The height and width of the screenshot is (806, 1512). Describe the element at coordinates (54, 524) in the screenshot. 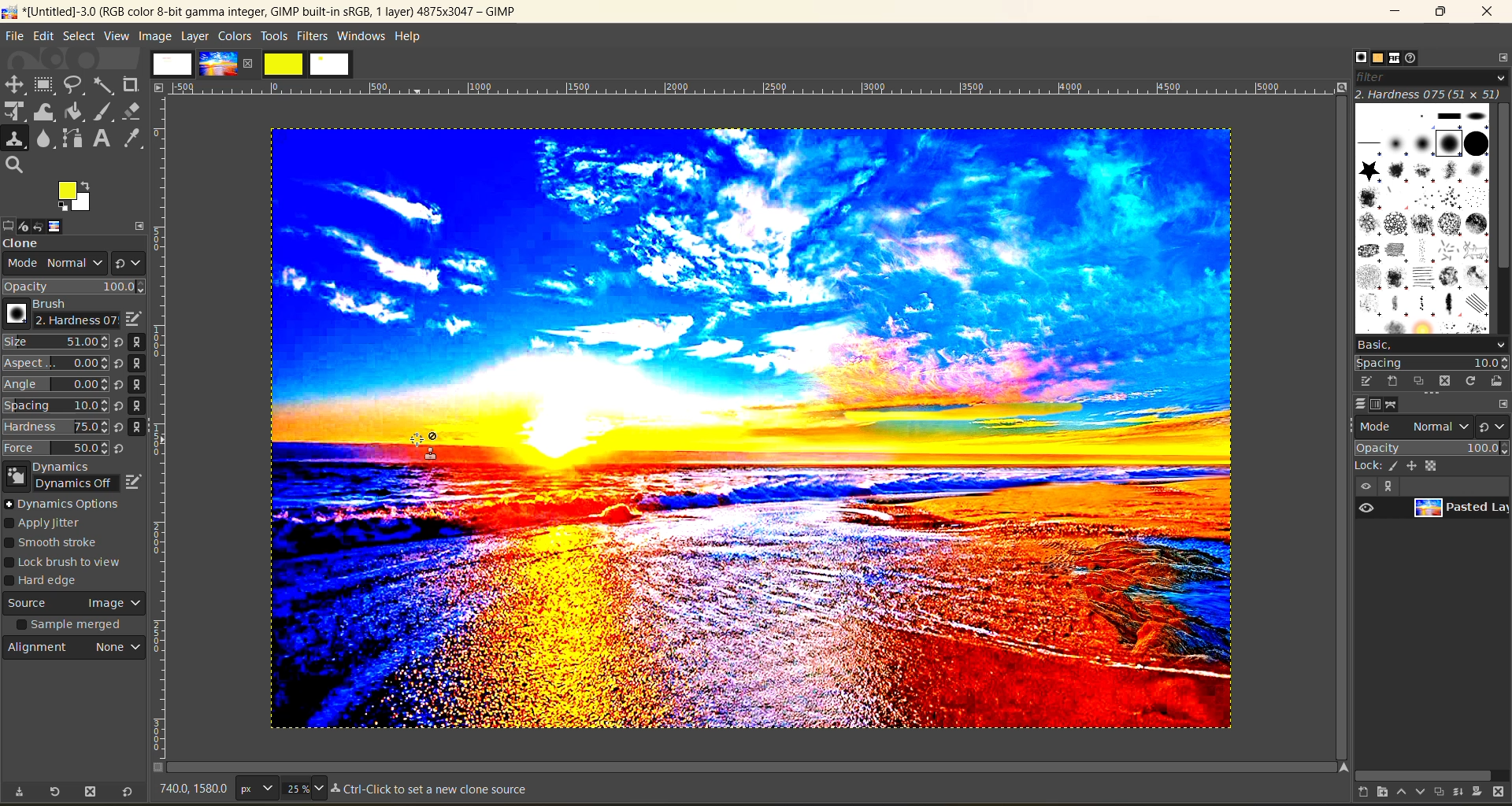

I see `apply jitter` at that location.